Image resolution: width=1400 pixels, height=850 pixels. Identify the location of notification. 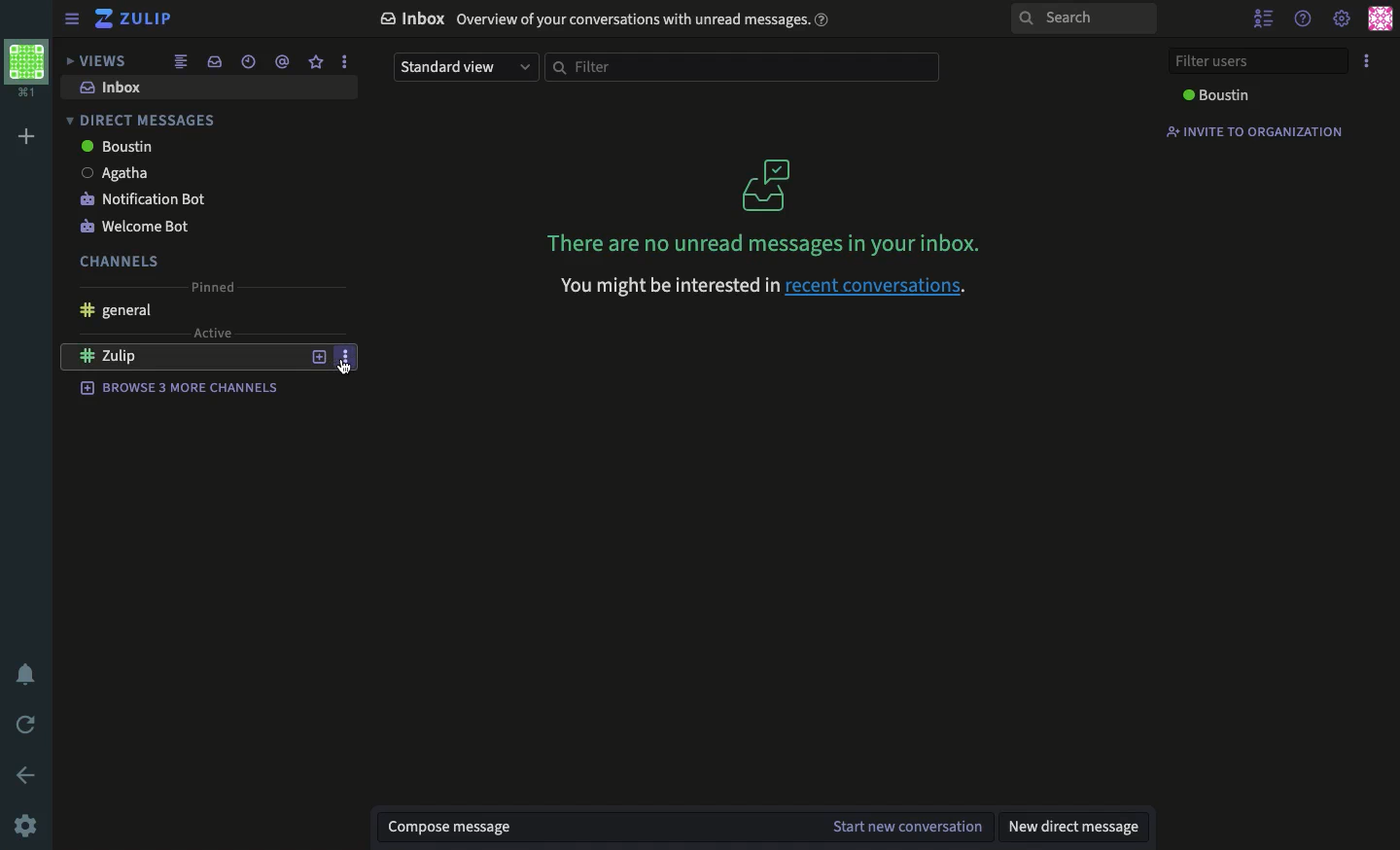
(28, 673).